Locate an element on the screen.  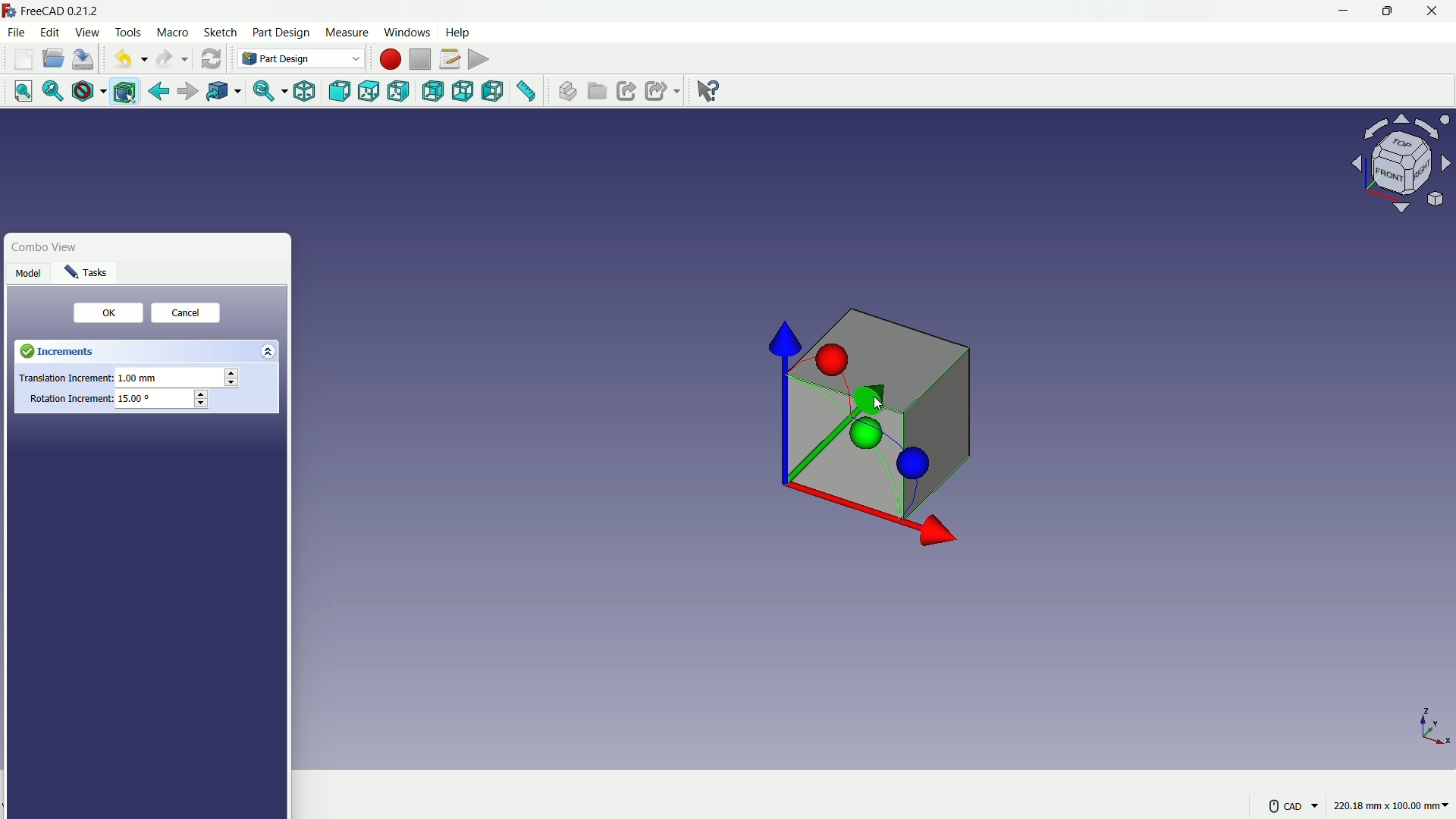
help extension is located at coordinates (704, 89).